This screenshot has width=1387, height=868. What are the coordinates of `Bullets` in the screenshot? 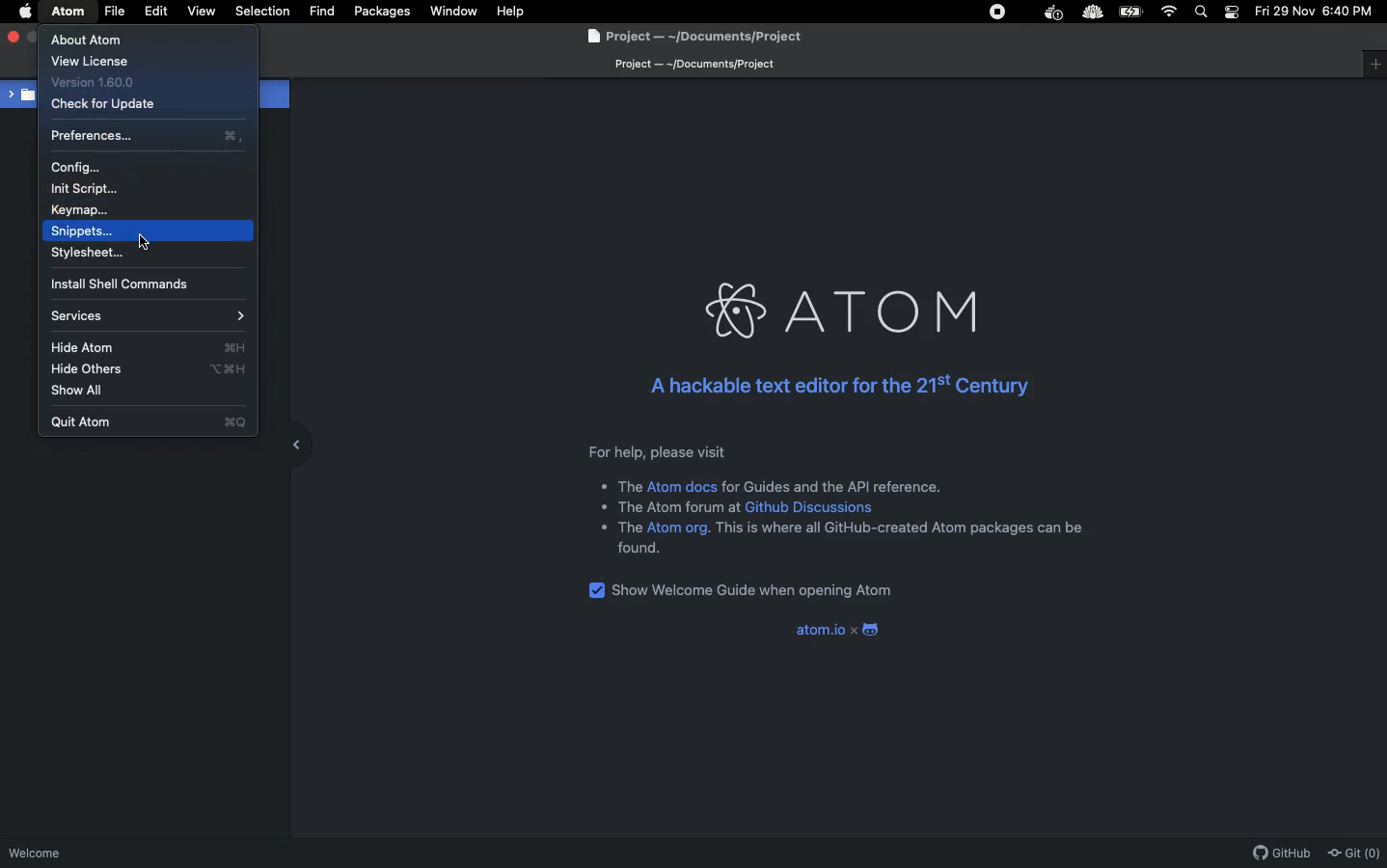 It's located at (600, 506).